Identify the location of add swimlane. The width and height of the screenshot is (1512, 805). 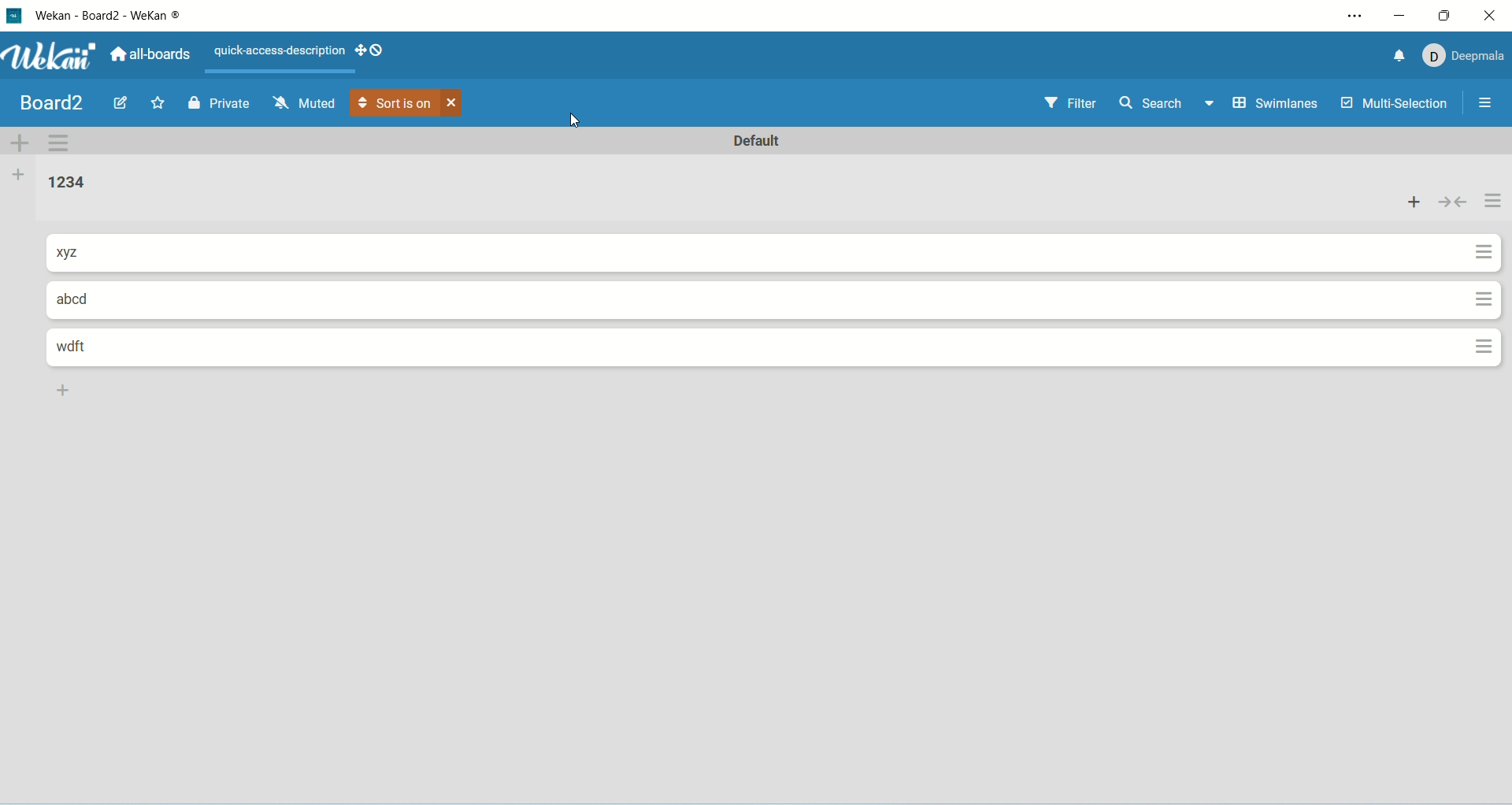
(20, 143).